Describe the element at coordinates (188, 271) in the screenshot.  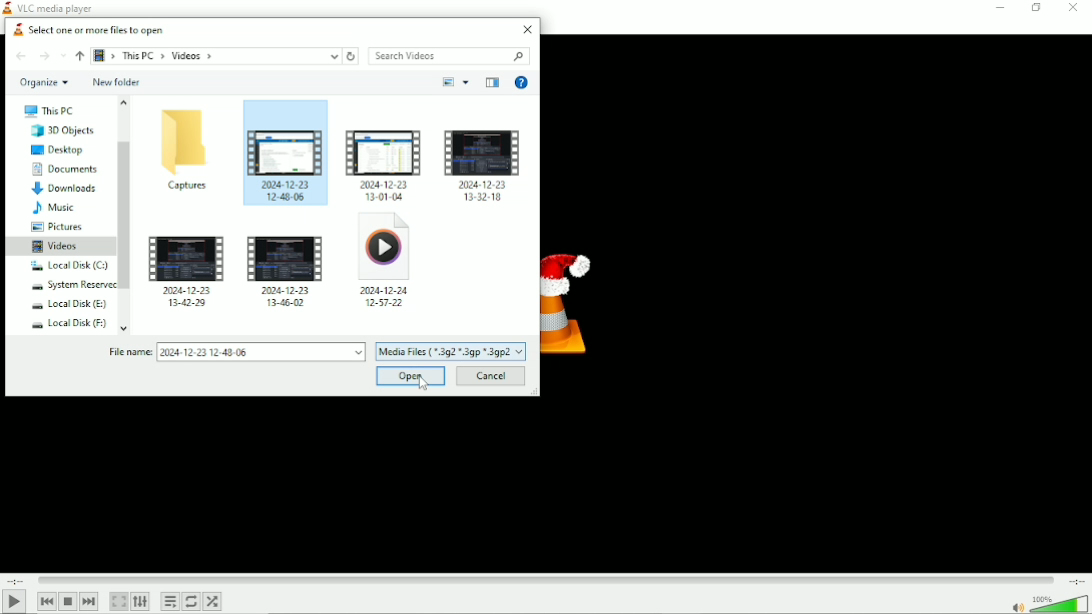
I see `video` at that location.